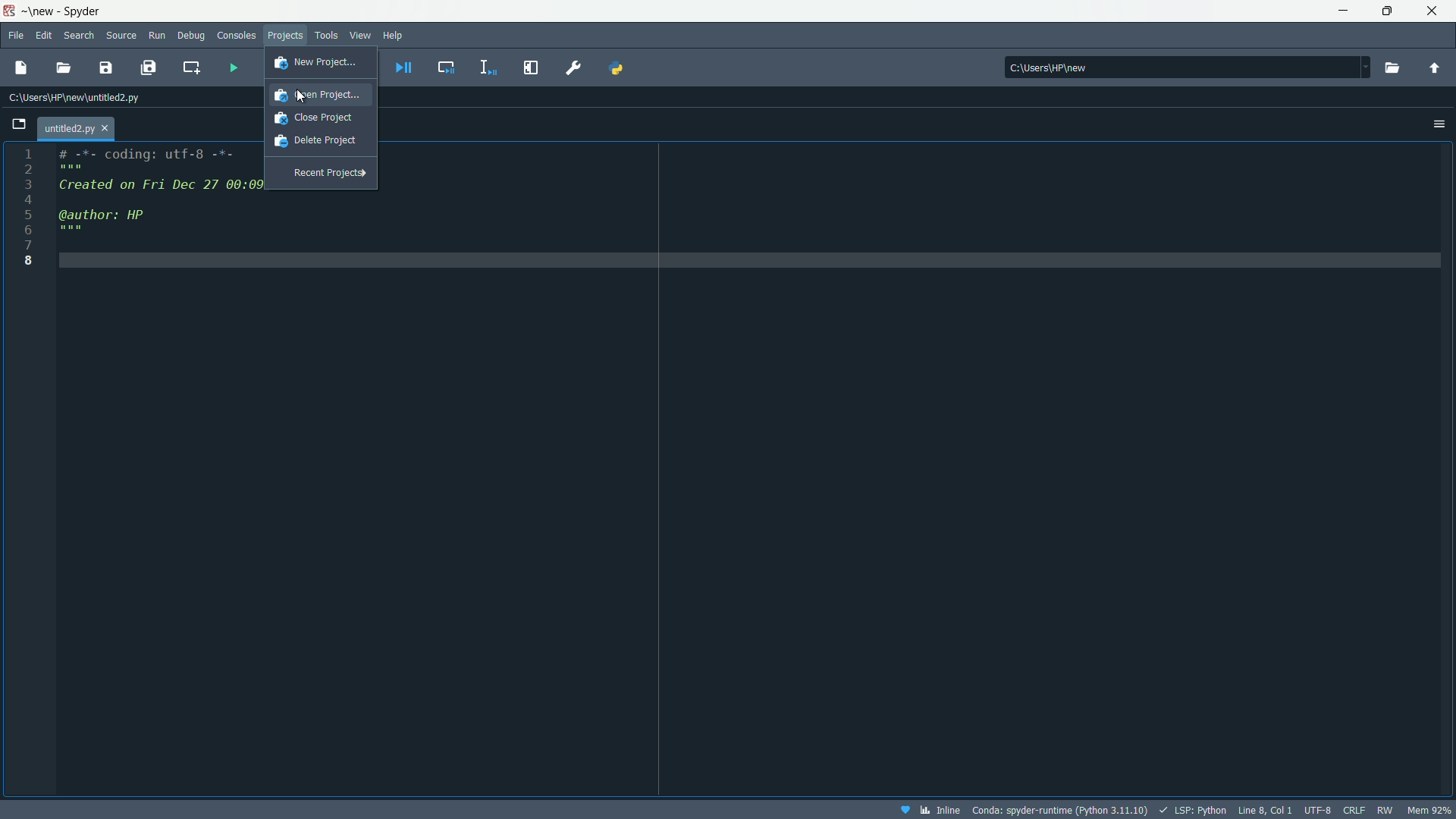  What do you see at coordinates (1435, 69) in the screenshot?
I see `parent directory` at bounding box center [1435, 69].